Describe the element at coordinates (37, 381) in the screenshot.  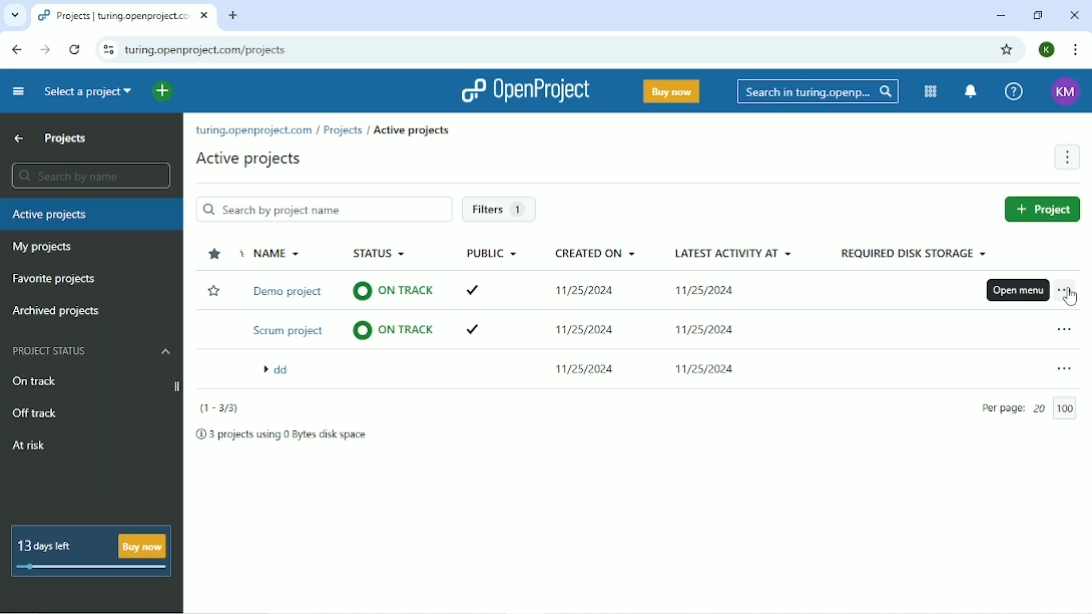
I see `On track` at that location.